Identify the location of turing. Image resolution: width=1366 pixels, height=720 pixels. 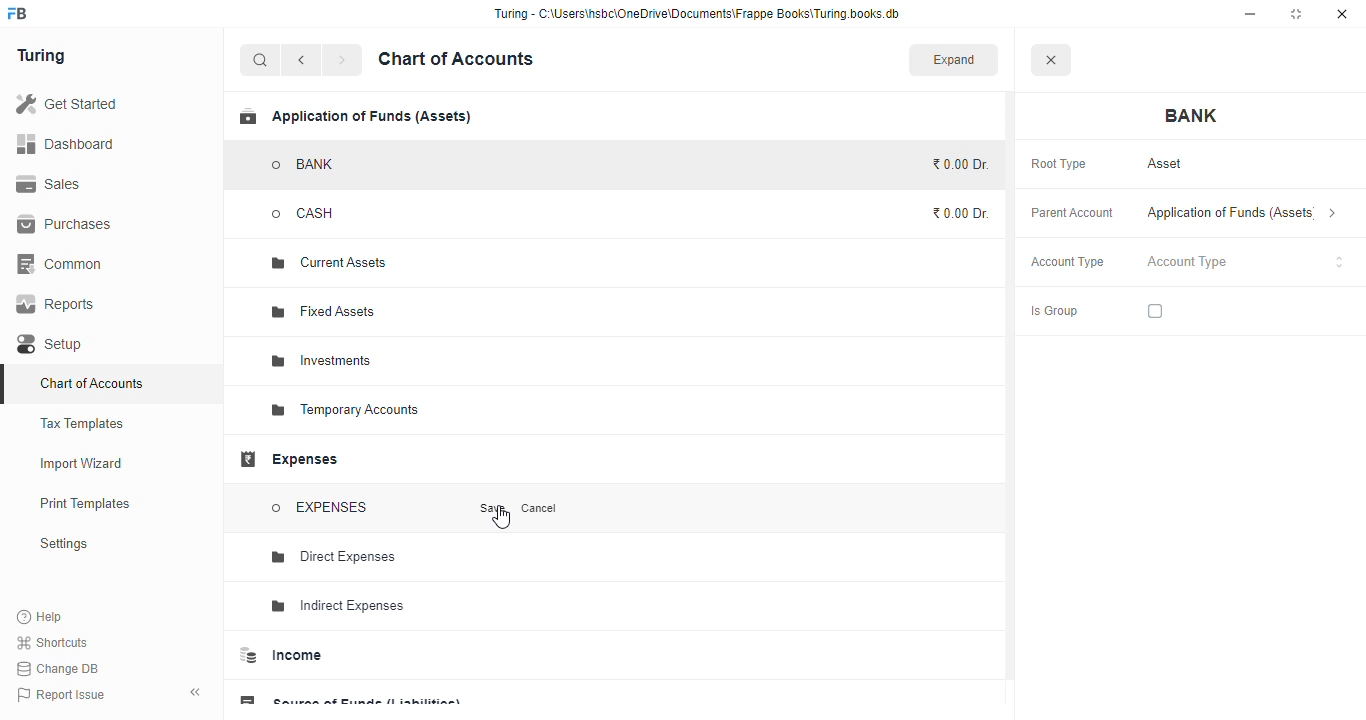
(40, 56).